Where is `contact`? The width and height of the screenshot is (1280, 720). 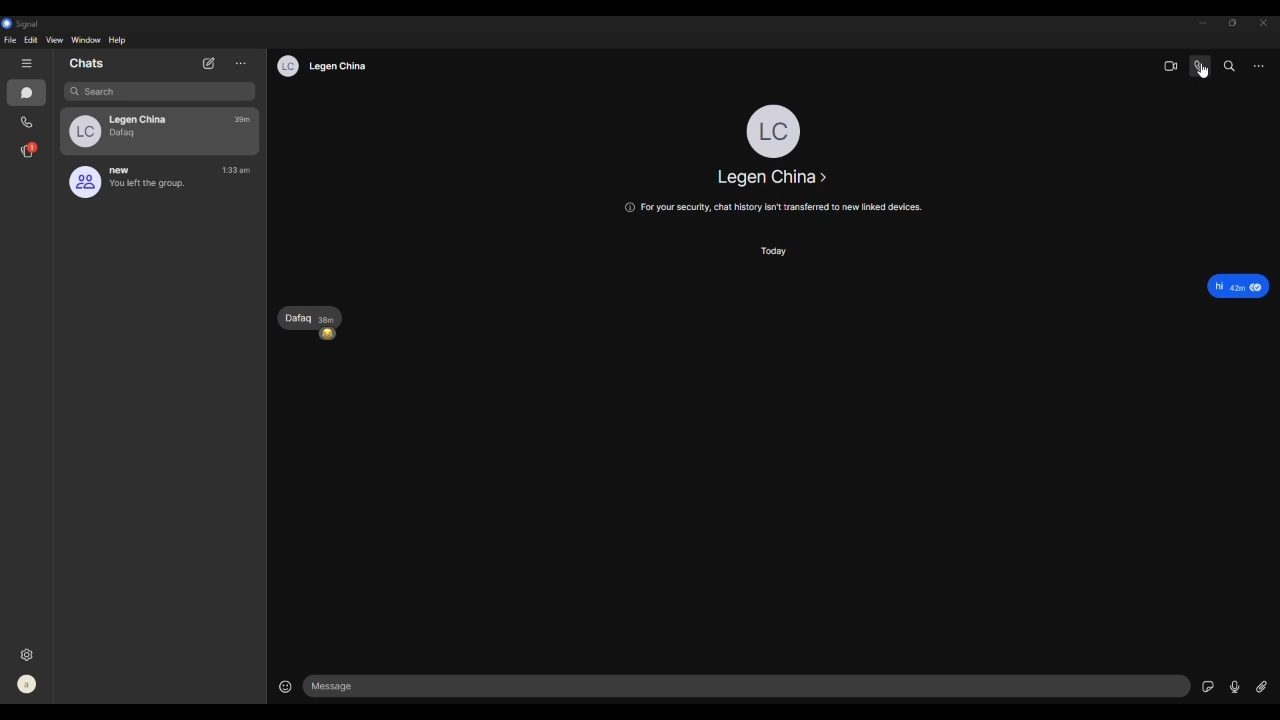
contact is located at coordinates (126, 130).